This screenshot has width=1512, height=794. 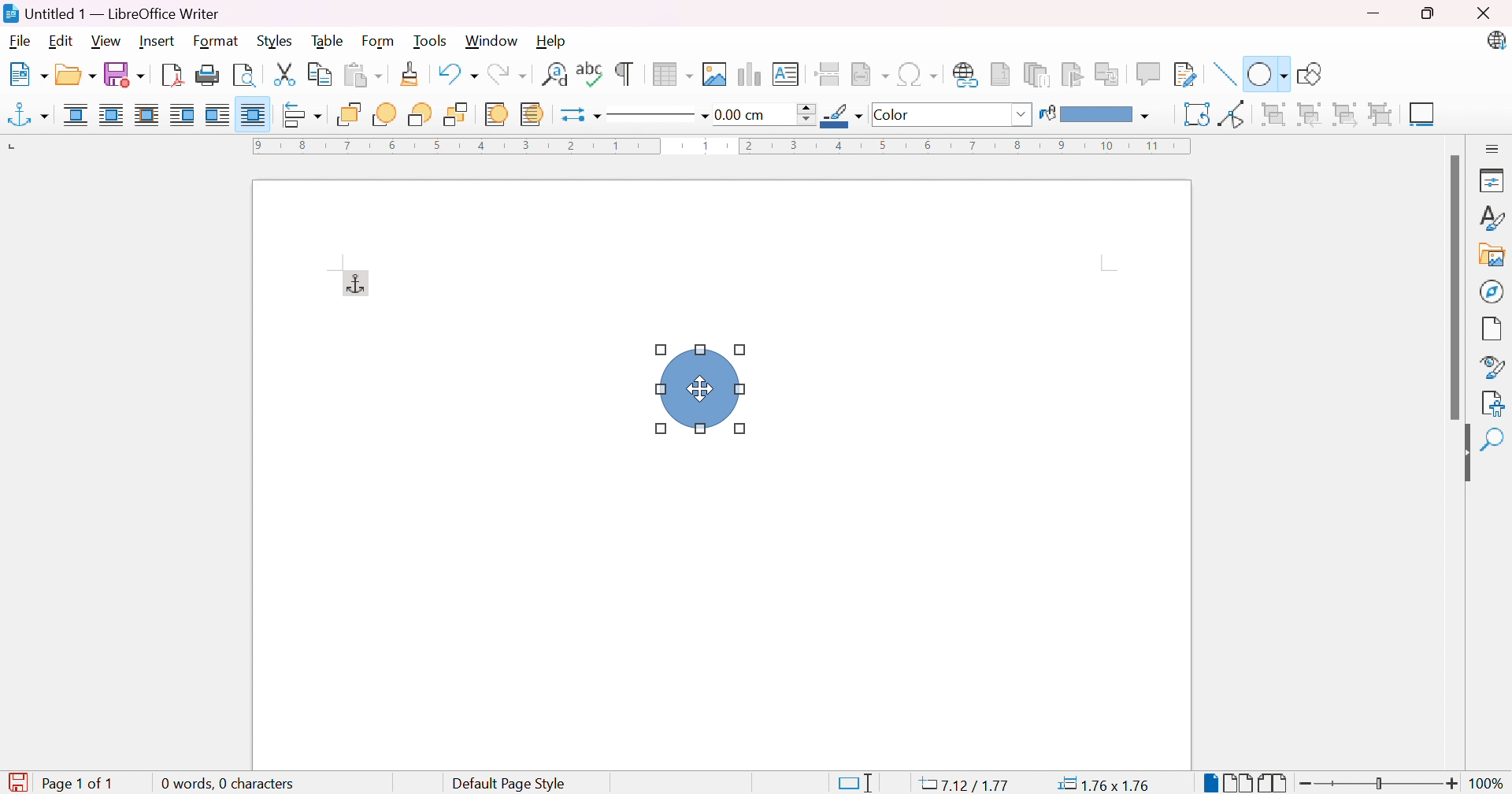 What do you see at coordinates (917, 73) in the screenshot?
I see `Insert special characters` at bounding box center [917, 73].